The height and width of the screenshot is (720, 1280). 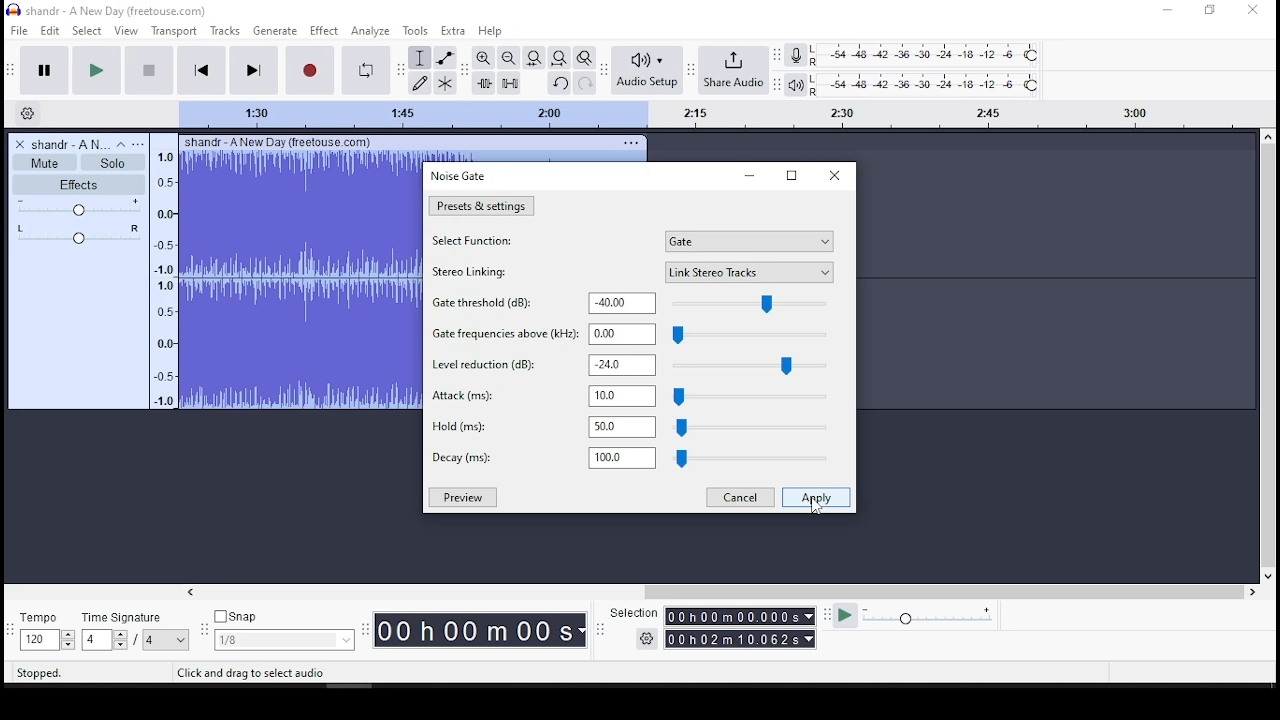 What do you see at coordinates (1255, 11) in the screenshot?
I see `close window` at bounding box center [1255, 11].